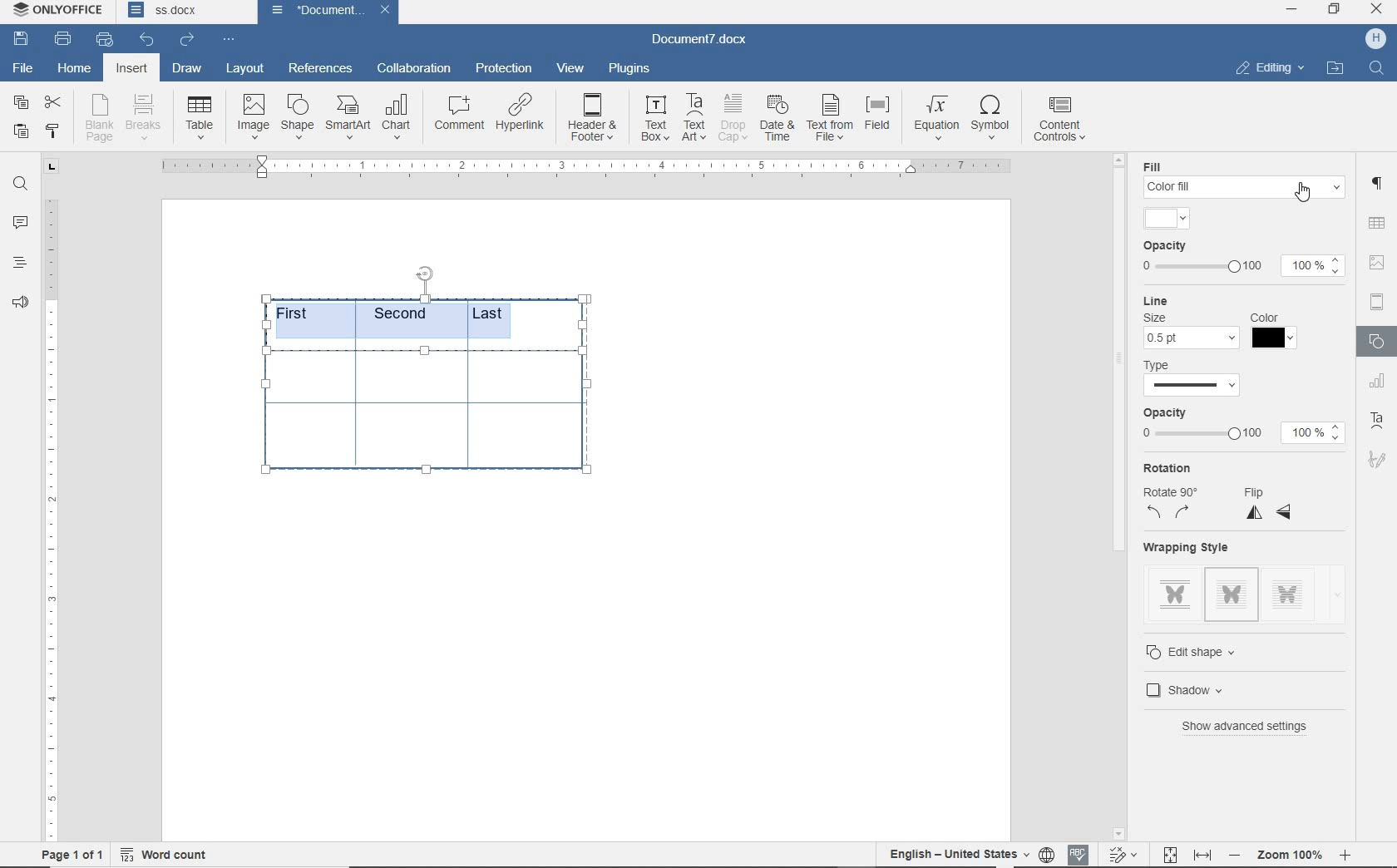 The width and height of the screenshot is (1397, 868). Describe the element at coordinates (1169, 852) in the screenshot. I see `fit to page` at that location.